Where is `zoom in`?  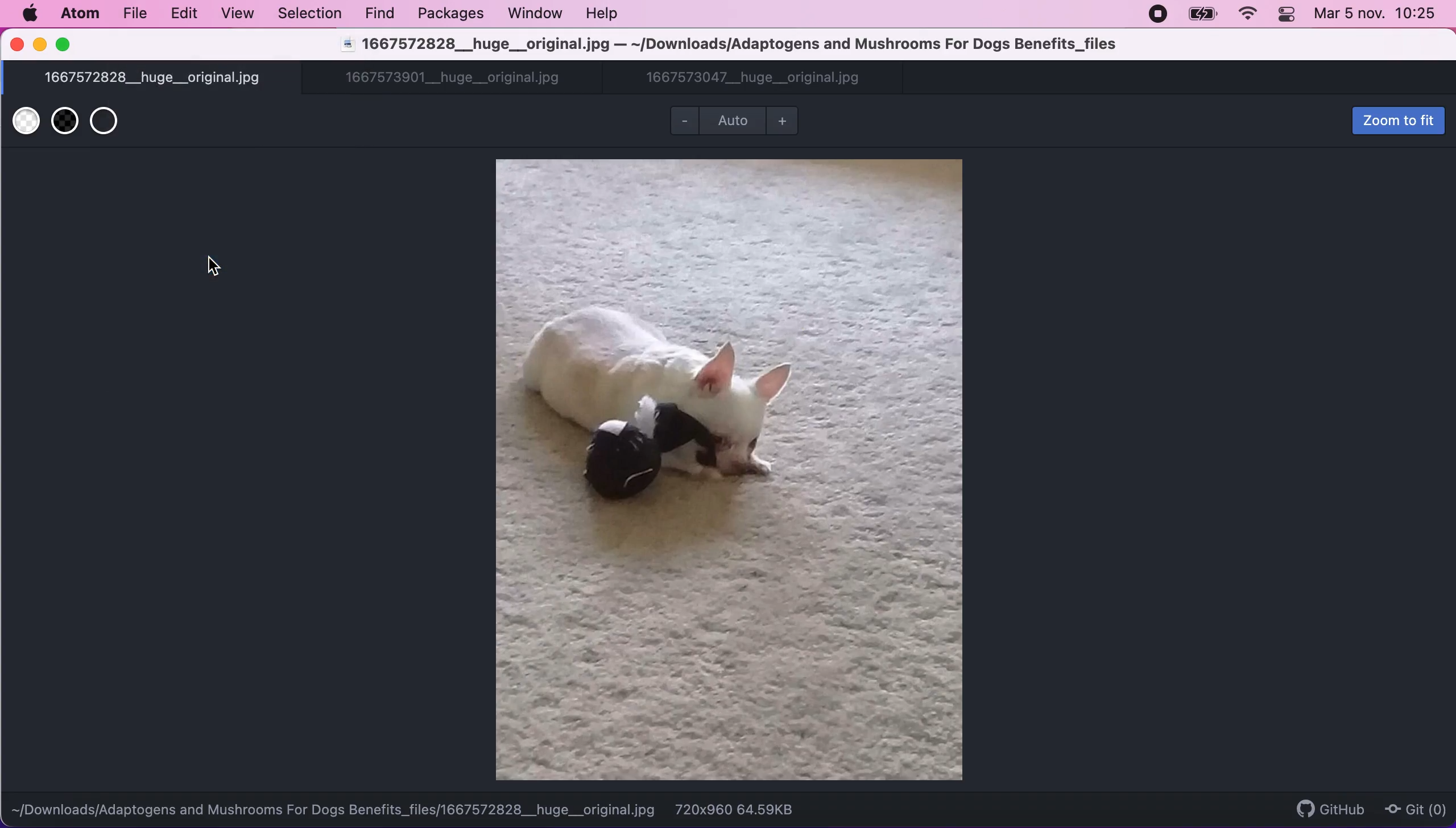
zoom in is located at coordinates (784, 122).